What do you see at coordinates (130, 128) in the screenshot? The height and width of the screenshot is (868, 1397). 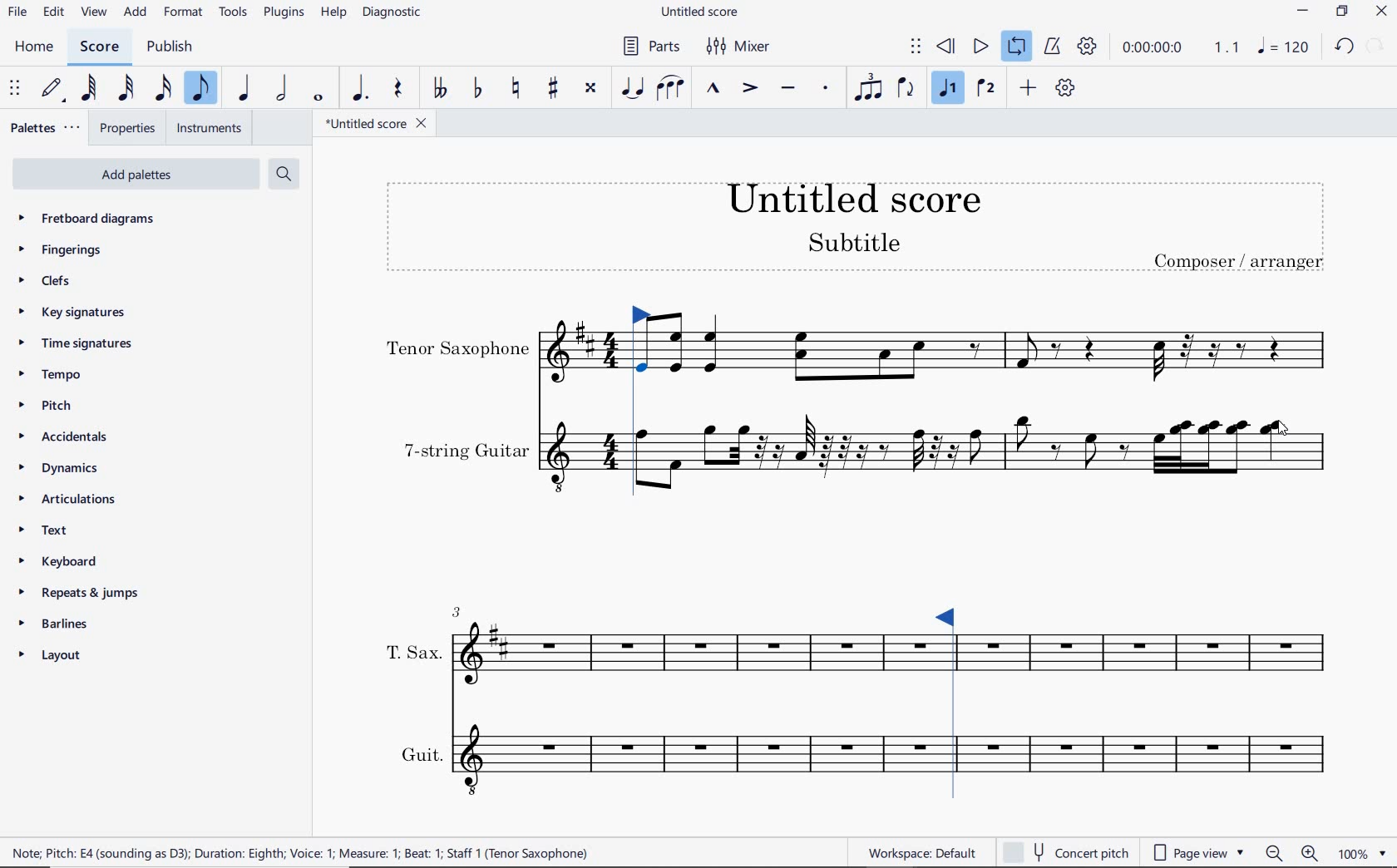 I see `PROPERTIES` at bounding box center [130, 128].